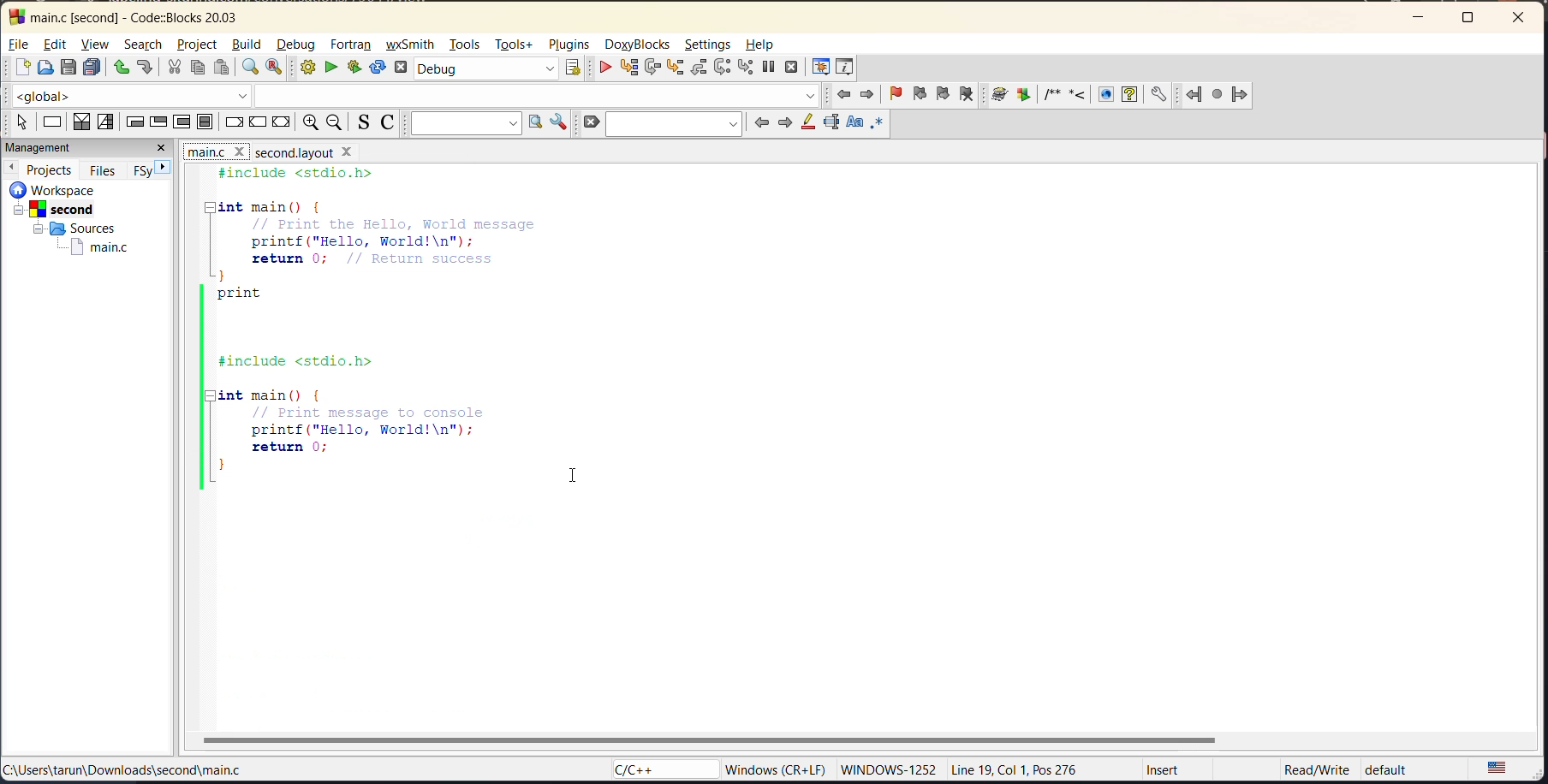 This screenshot has width=1548, height=784. What do you see at coordinates (900, 94) in the screenshot?
I see `toggle bookmark` at bounding box center [900, 94].